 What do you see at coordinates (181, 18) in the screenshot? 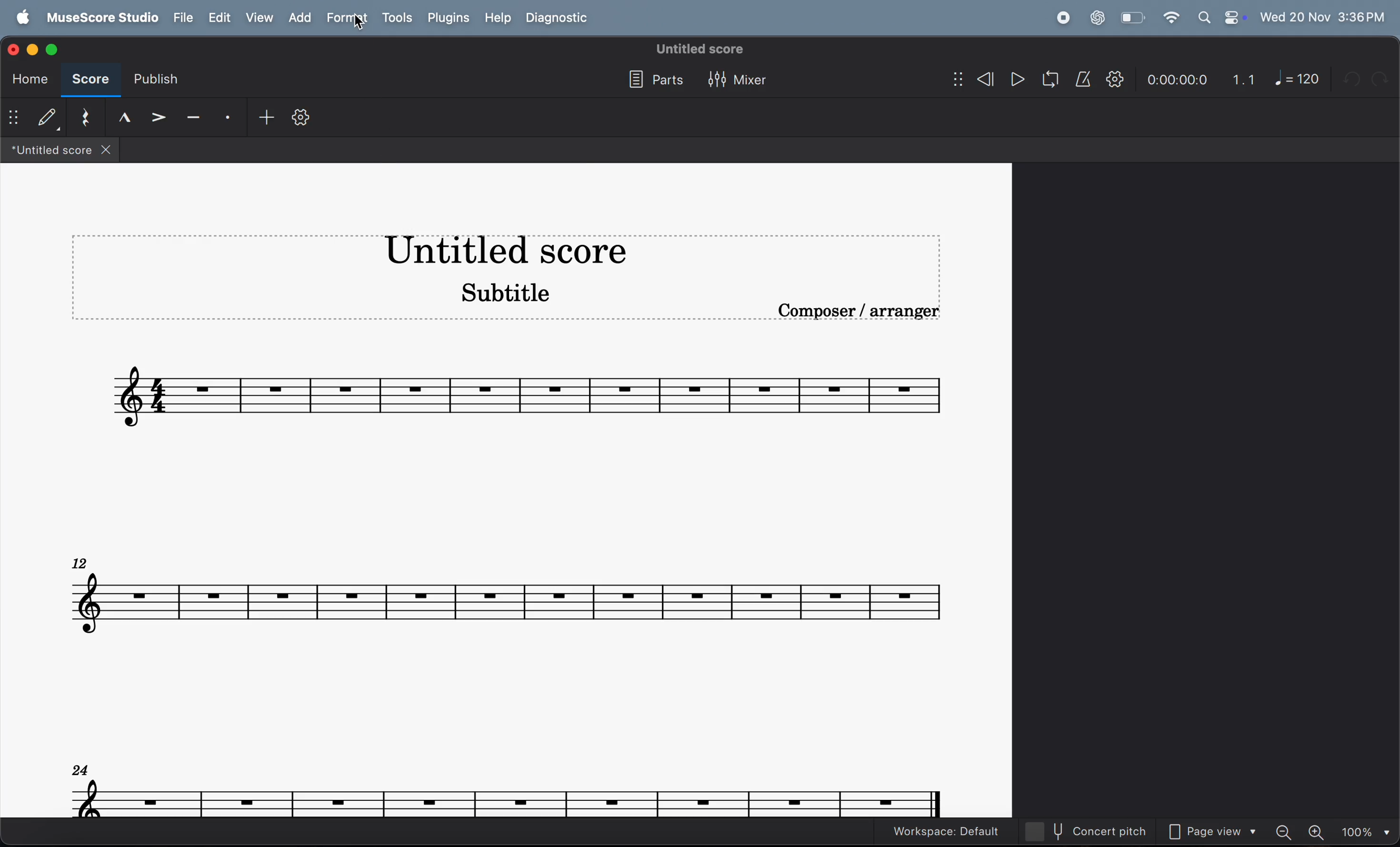
I see `file` at bounding box center [181, 18].